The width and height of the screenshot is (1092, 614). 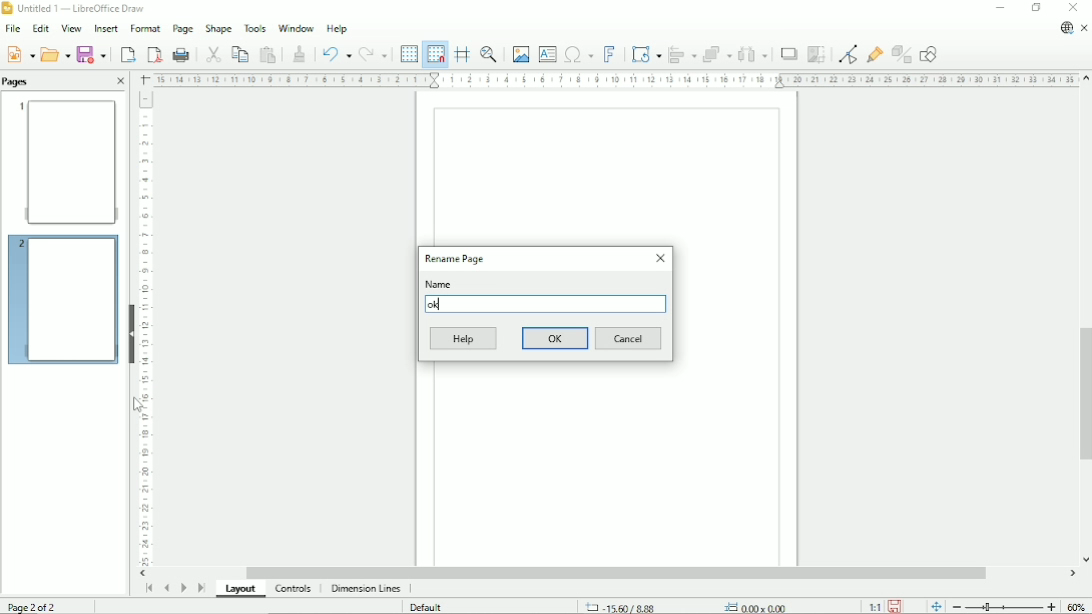 What do you see at coordinates (19, 53) in the screenshot?
I see `New` at bounding box center [19, 53].